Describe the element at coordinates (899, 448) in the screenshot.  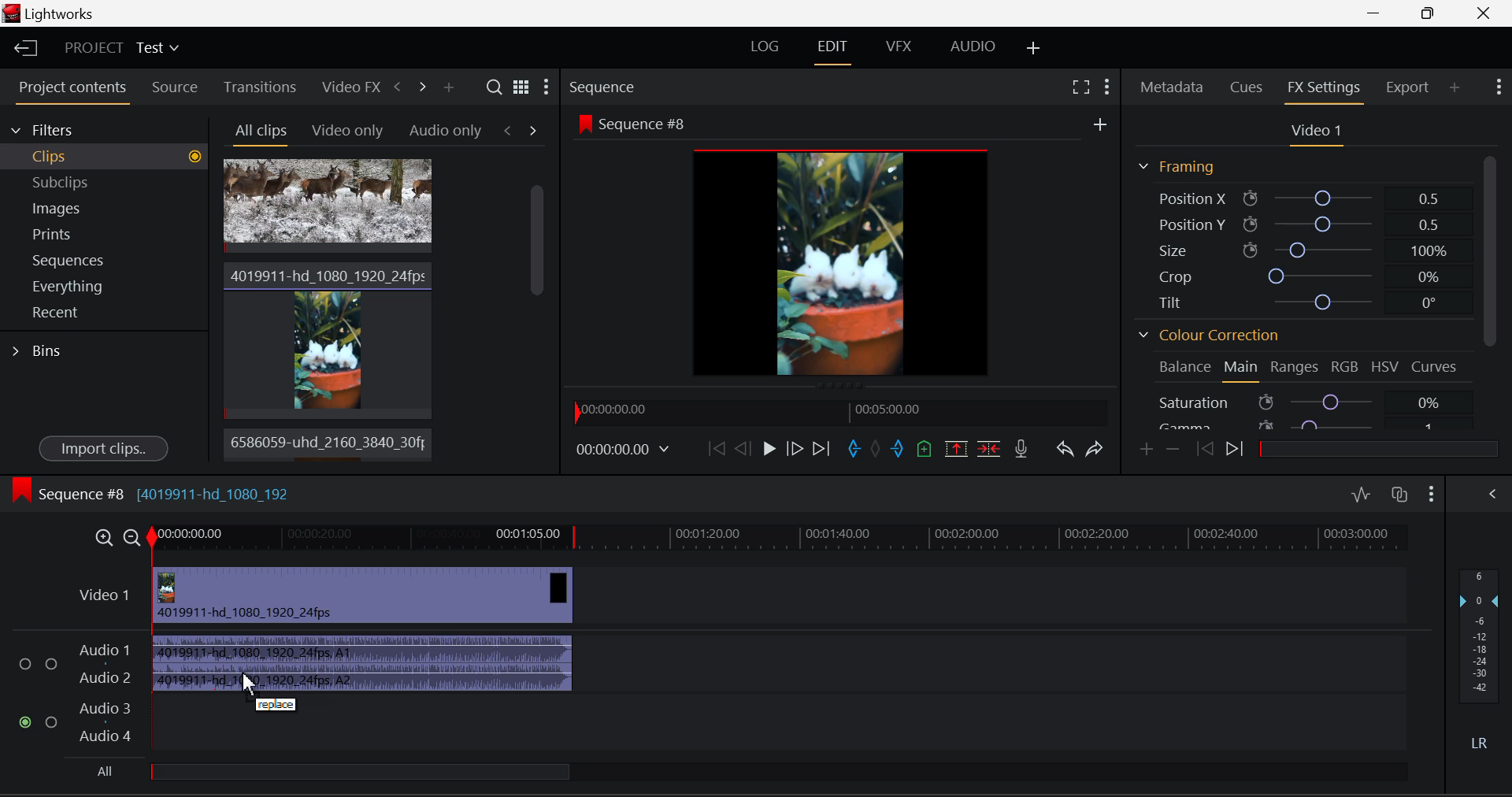
I see `Mark Out` at that location.